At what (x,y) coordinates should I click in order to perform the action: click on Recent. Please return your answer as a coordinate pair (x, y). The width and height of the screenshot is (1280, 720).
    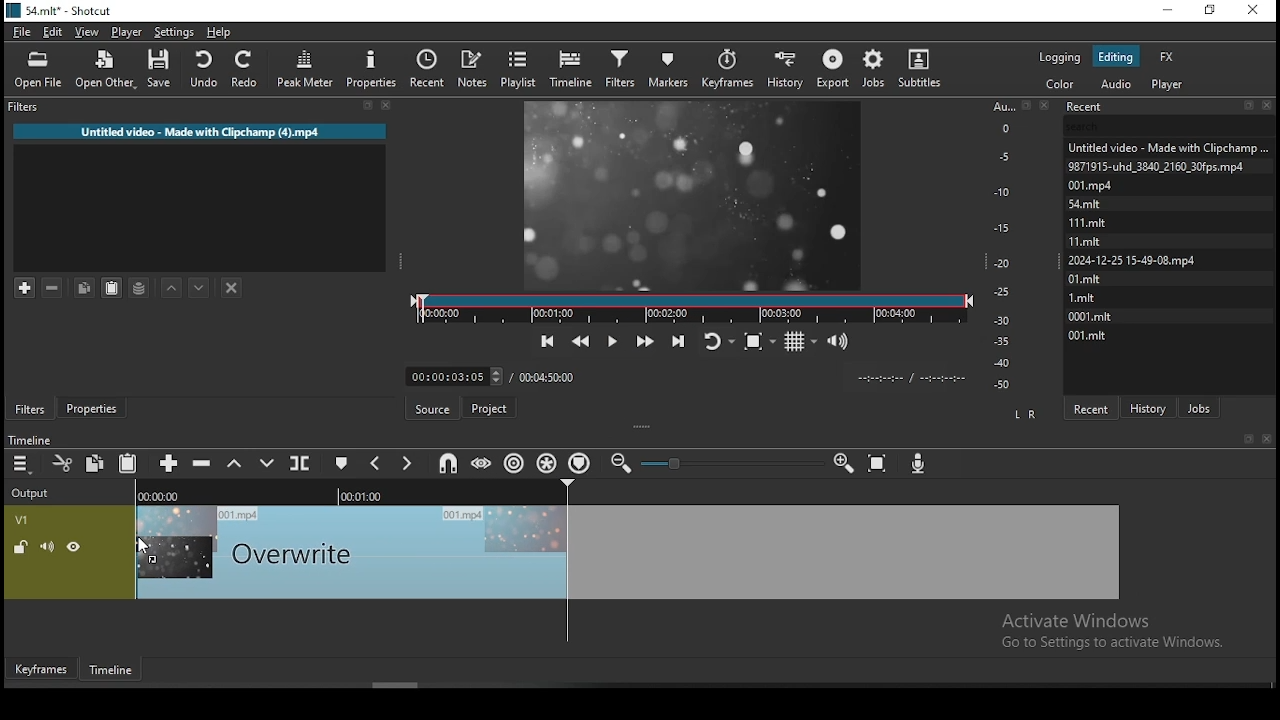
    Looking at the image, I should click on (1170, 107).